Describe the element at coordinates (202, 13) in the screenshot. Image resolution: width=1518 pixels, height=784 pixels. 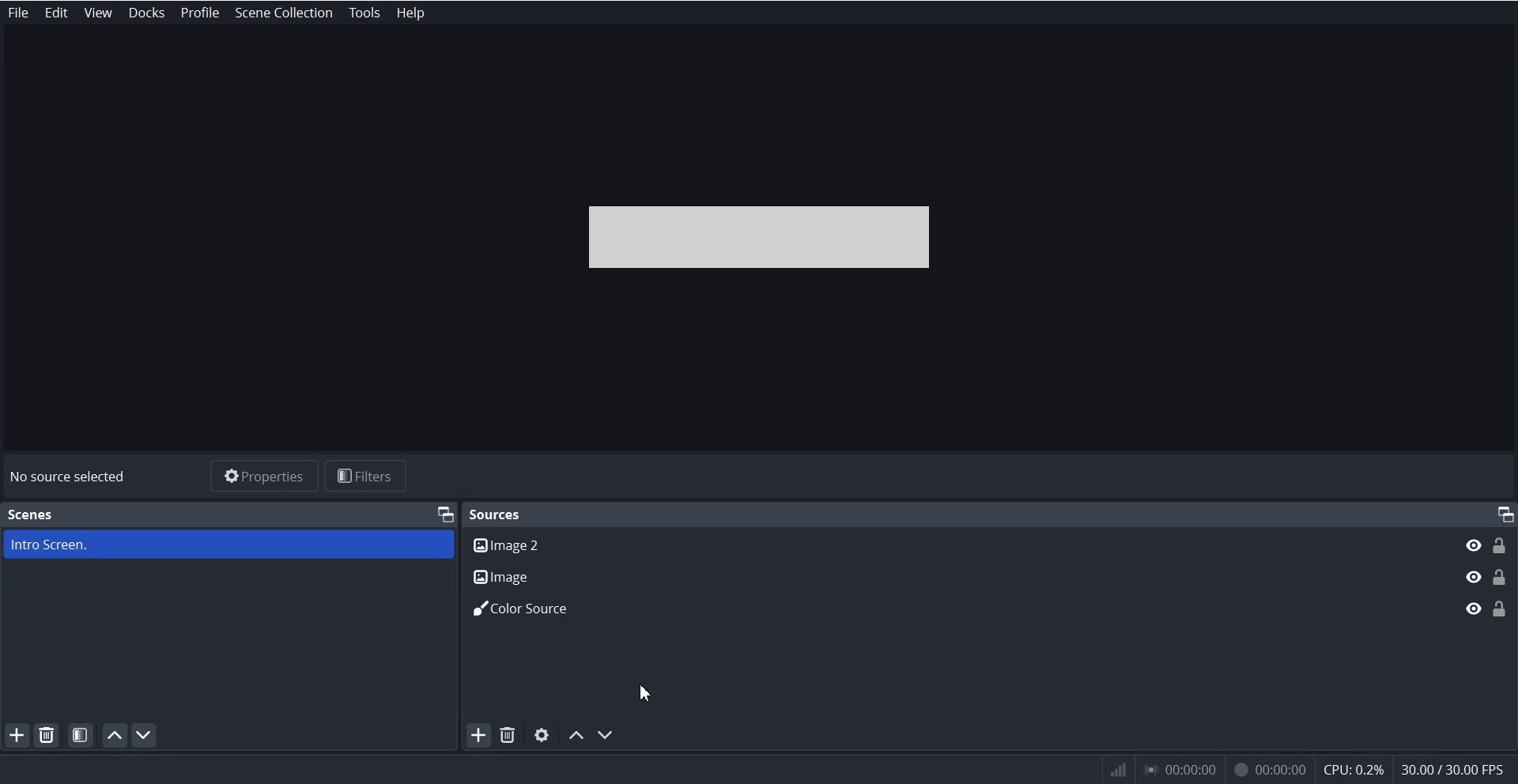
I see `Profile` at that location.